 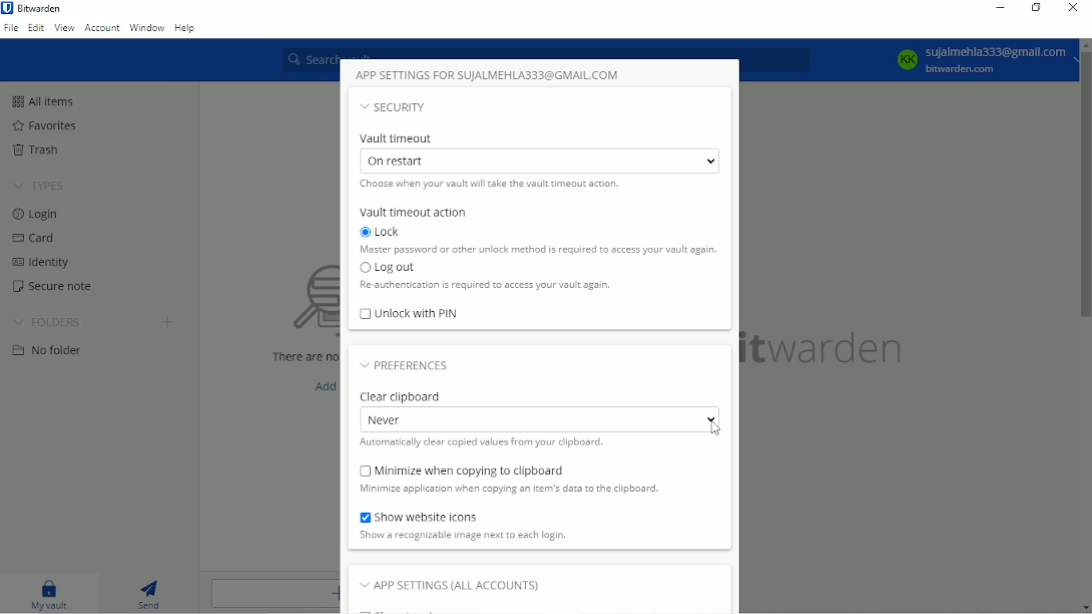 What do you see at coordinates (387, 268) in the screenshot?
I see `Log out` at bounding box center [387, 268].